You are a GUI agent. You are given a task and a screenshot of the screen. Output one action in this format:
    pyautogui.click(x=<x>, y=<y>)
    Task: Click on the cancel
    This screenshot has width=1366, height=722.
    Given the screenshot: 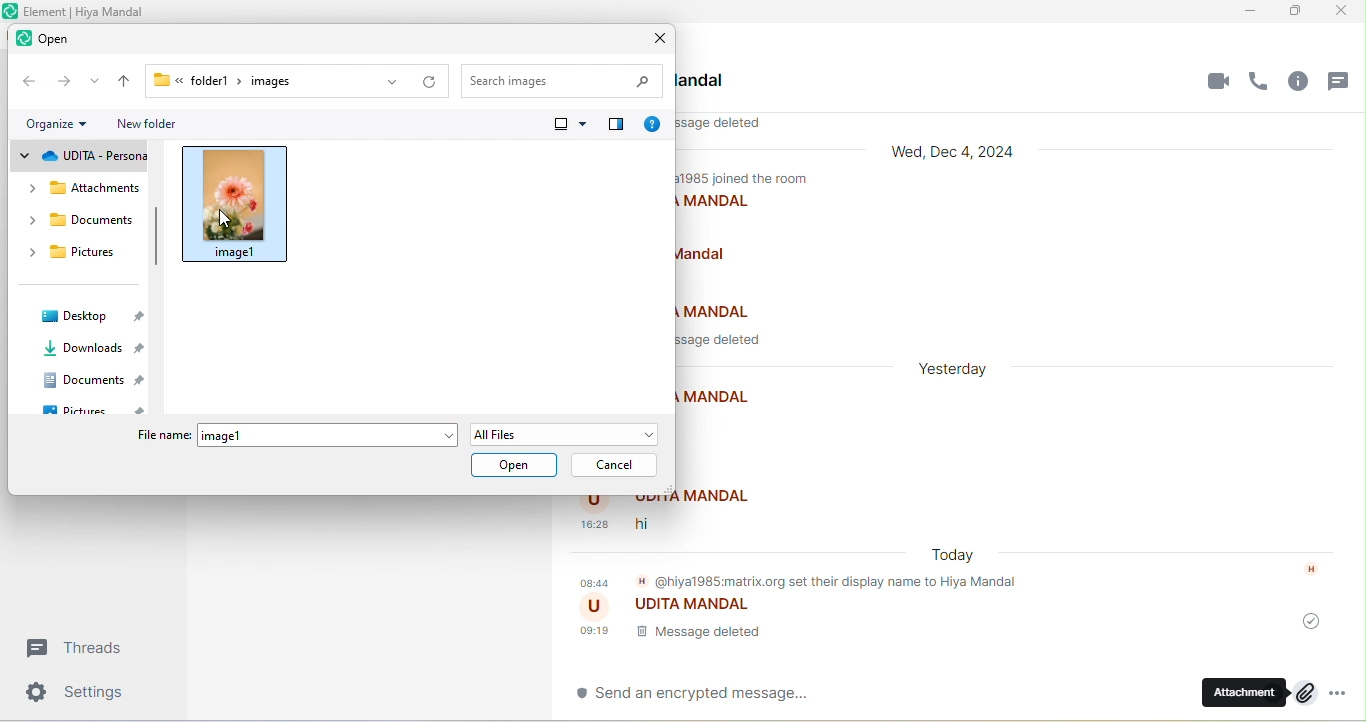 What is the action you would take?
    pyautogui.click(x=616, y=466)
    